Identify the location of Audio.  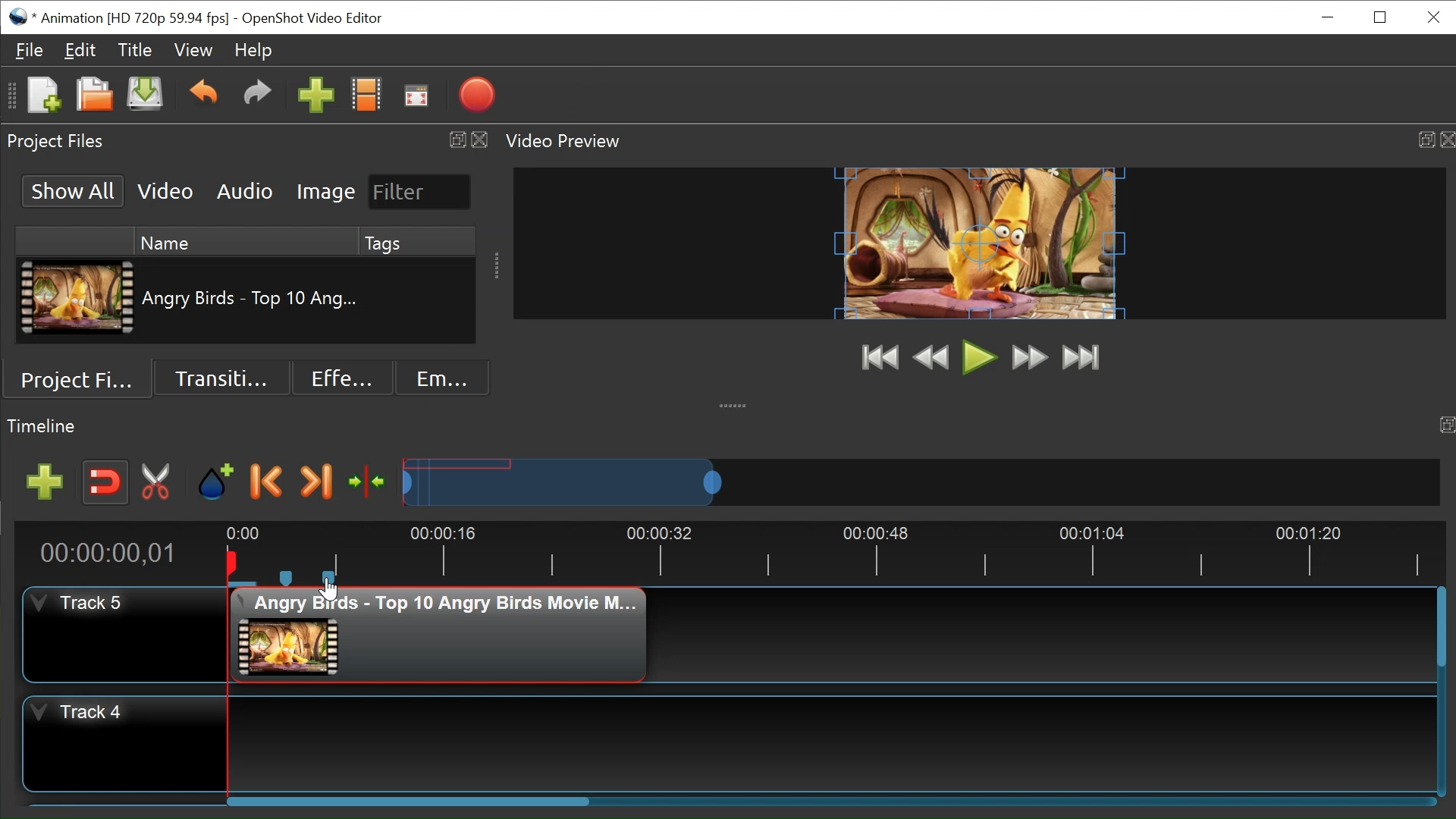
(244, 192).